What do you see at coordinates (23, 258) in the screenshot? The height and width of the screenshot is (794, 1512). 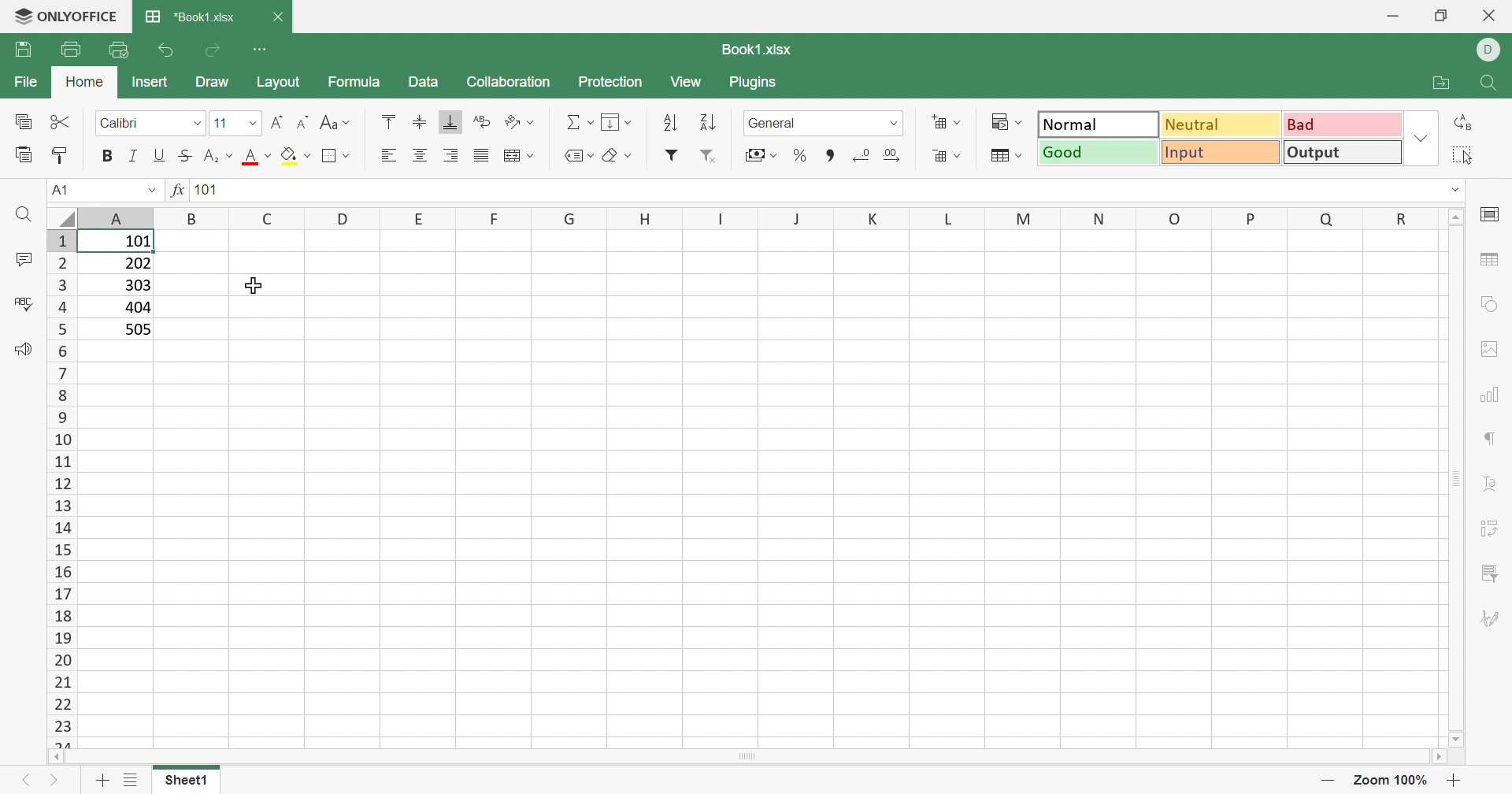 I see `comments` at bounding box center [23, 258].